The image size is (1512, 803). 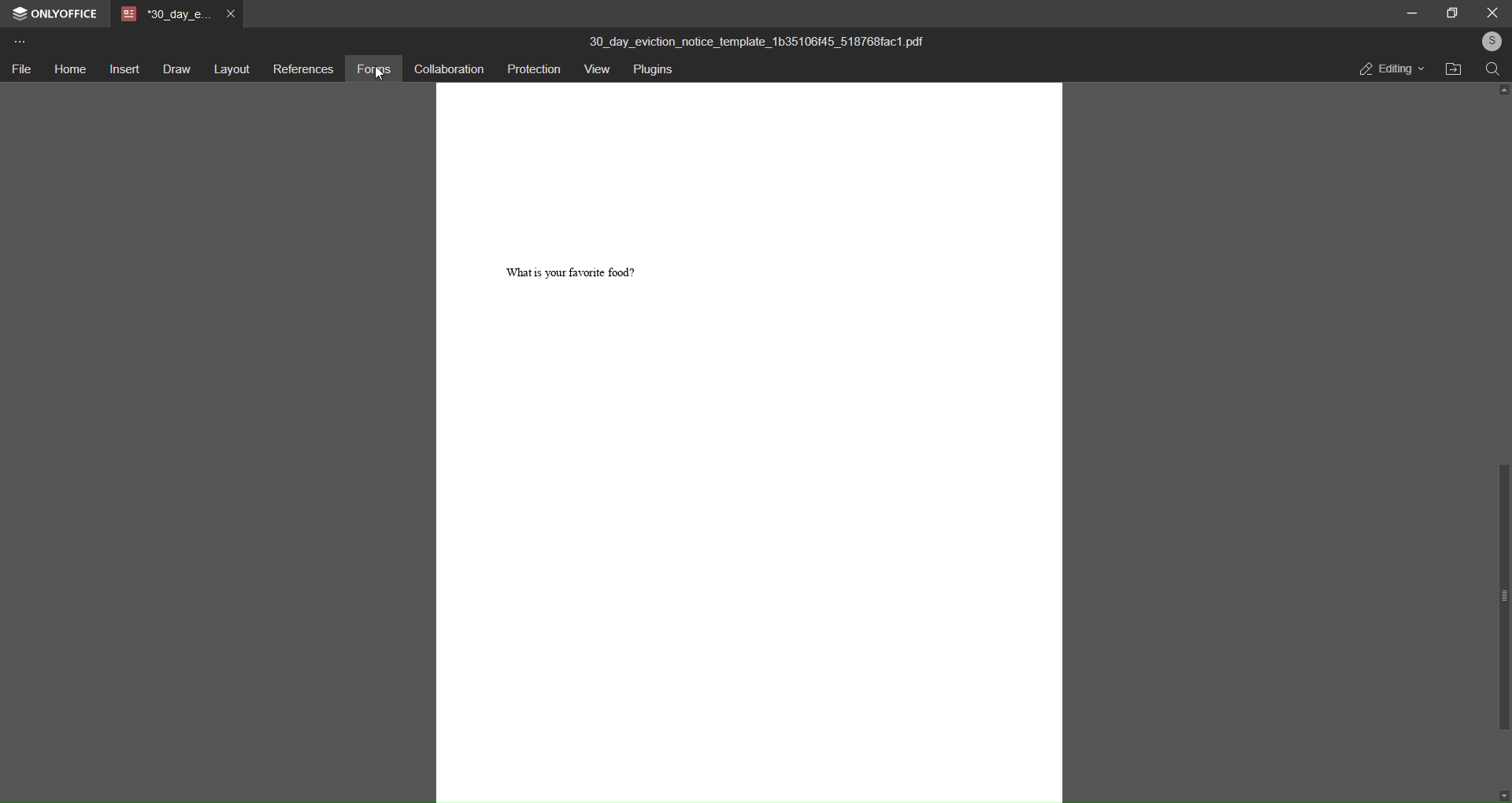 I want to click on close tab, so click(x=230, y=16).